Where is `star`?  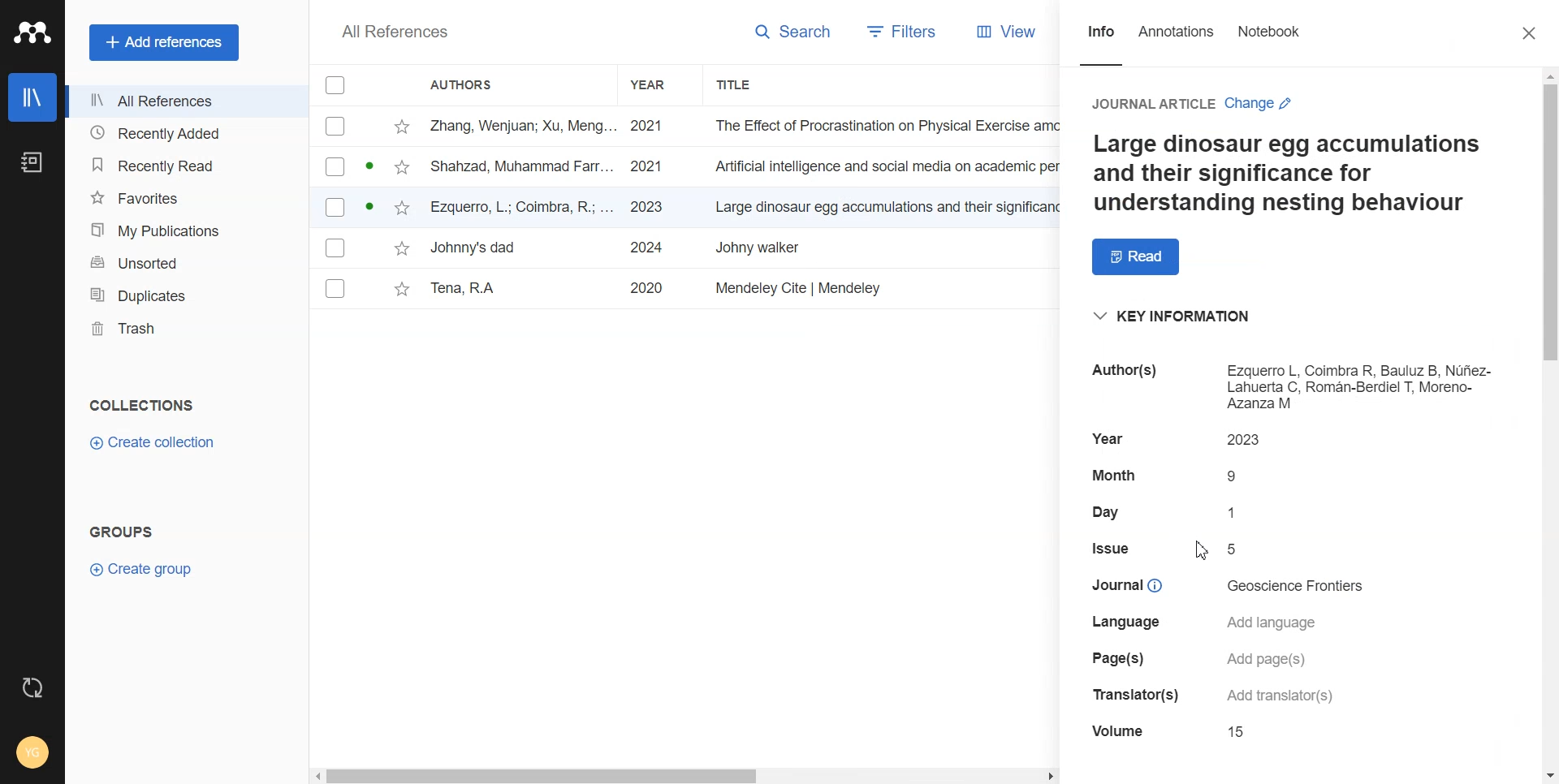
star is located at coordinates (404, 127).